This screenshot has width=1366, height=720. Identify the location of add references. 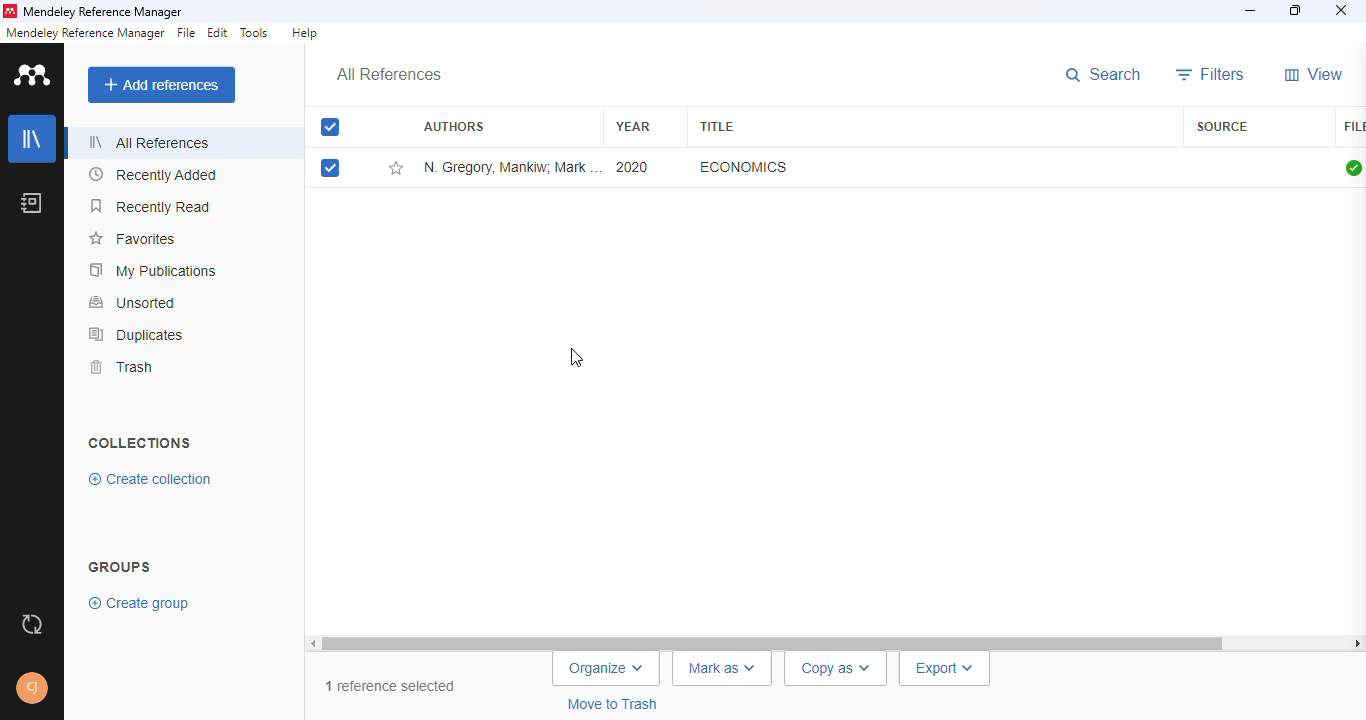
(162, 85).